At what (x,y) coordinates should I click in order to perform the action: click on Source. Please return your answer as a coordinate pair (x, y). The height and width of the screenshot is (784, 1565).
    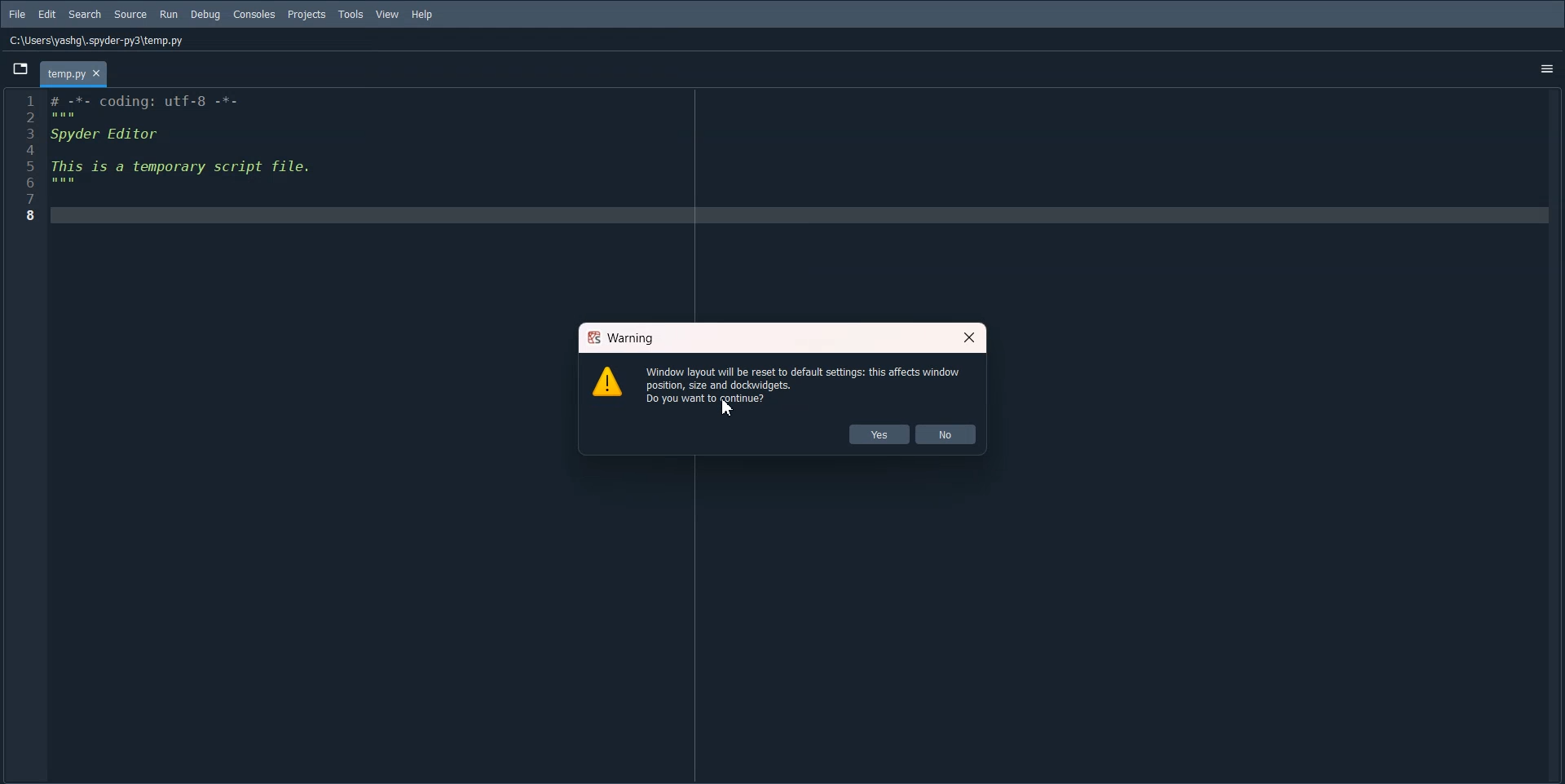
    Looking at the image, I should click on (130, 15).